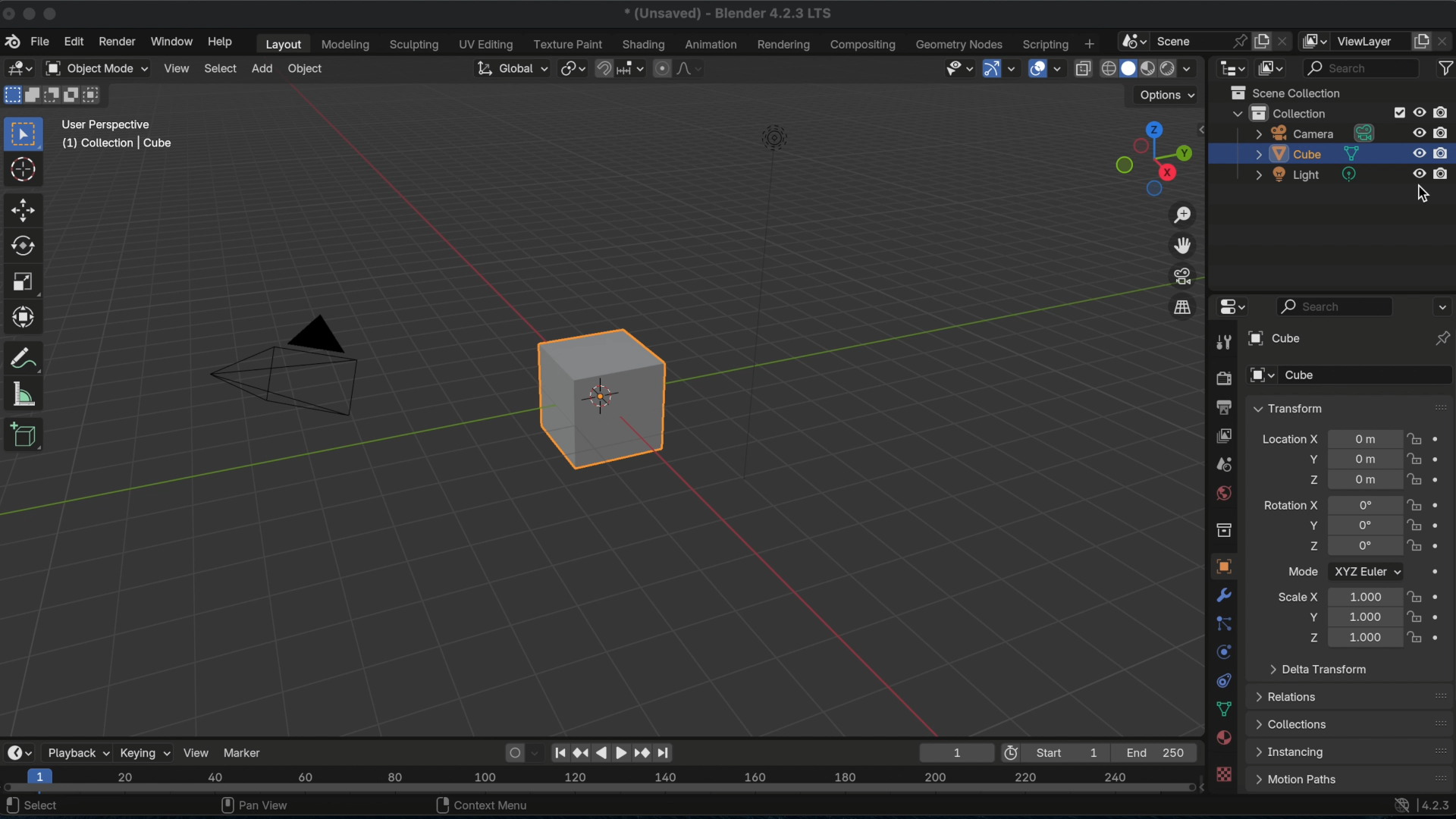  Describe the element at coordinates (864, 44) in the screenshot. I see `composting` at that location.